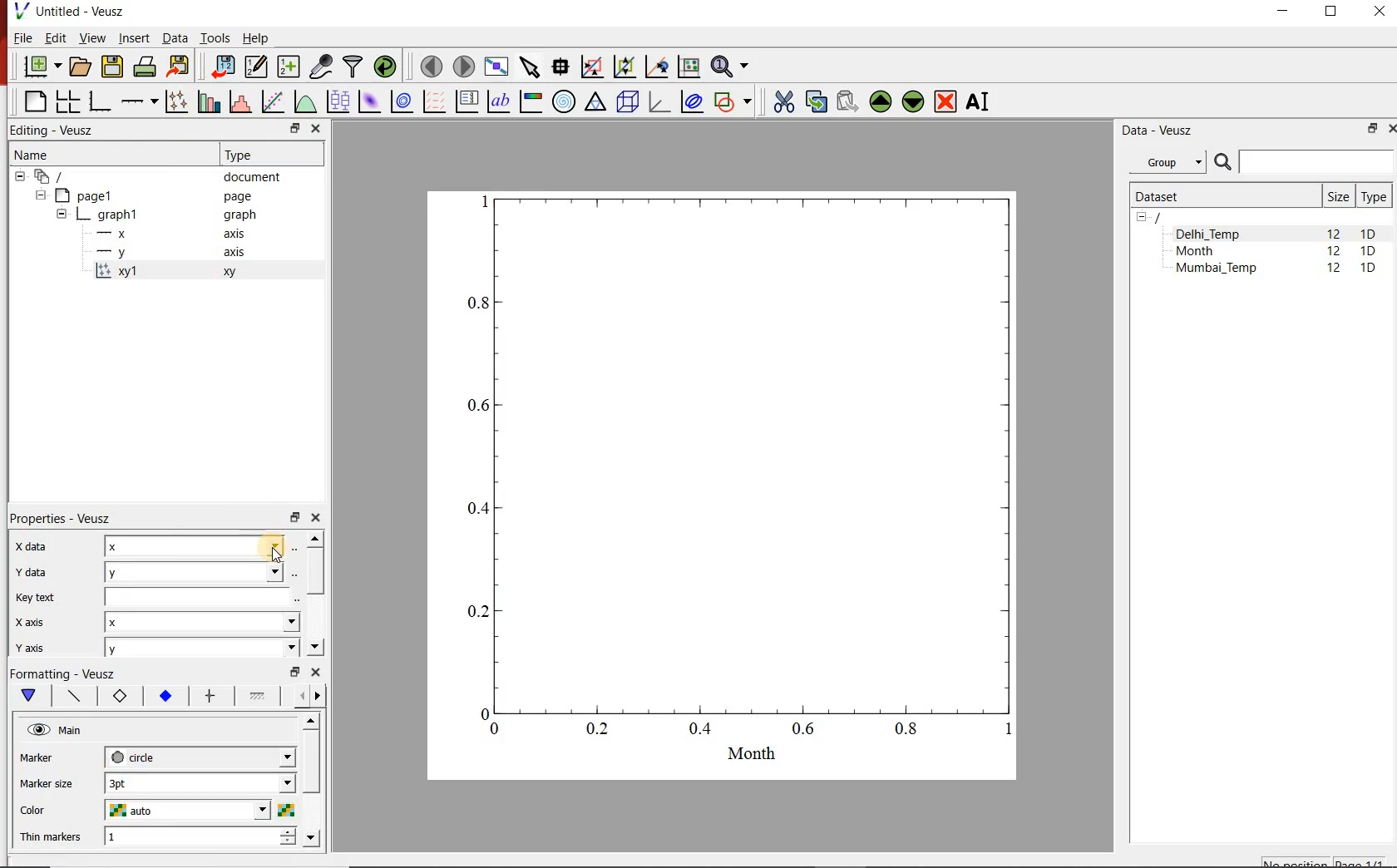 The image size is (1397, 868). Describe the element at coordinates (151, 175) in the screenshot. I see `document` at that location.